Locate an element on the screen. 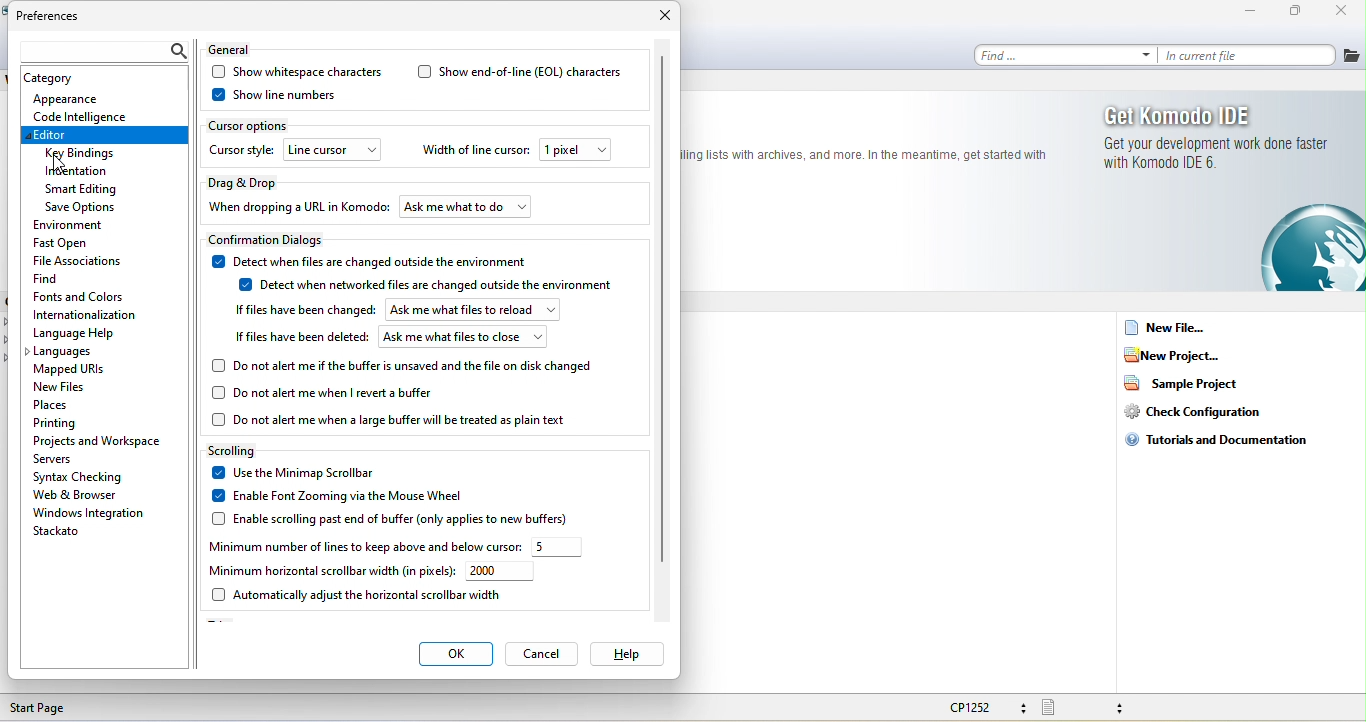  code inteligence is located at coordinates (80, 115).